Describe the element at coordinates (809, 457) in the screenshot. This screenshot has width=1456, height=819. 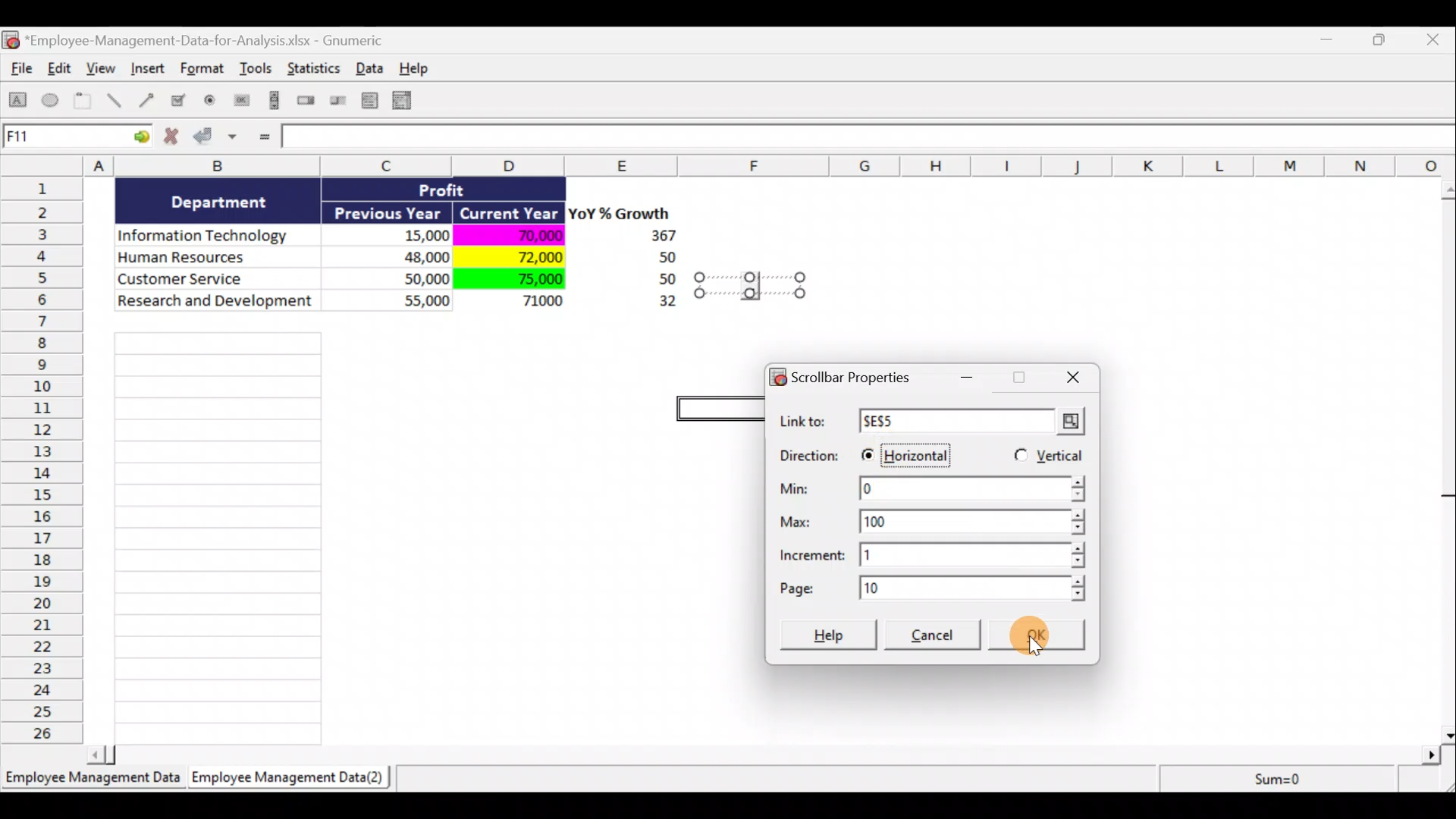
I see `Direction` at that location.